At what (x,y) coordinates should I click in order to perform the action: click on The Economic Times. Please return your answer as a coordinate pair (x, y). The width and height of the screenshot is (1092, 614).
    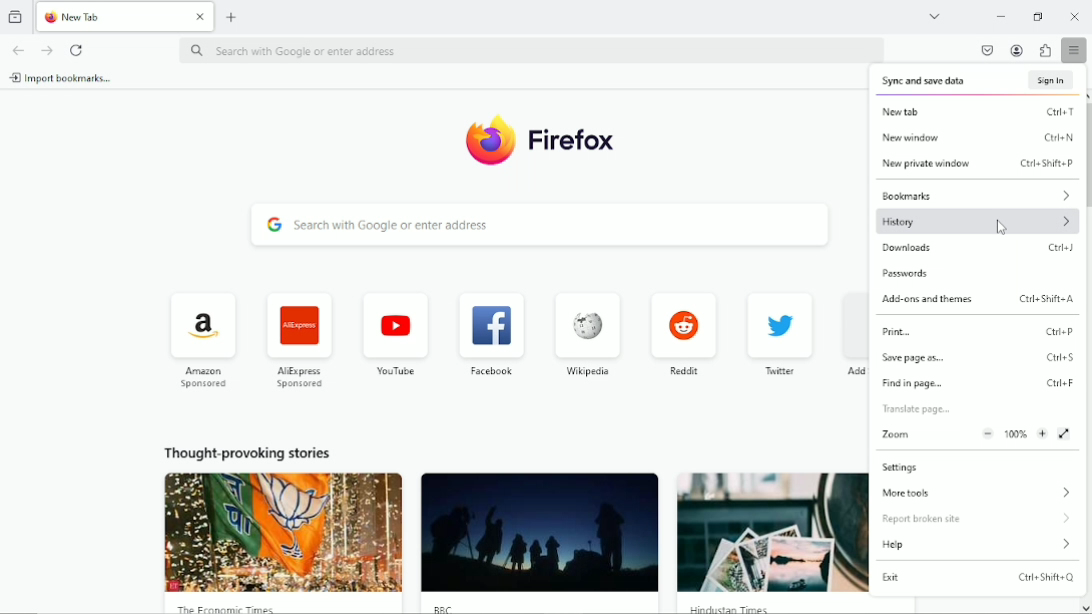
    Looking at the image, I should click on (228, 607).